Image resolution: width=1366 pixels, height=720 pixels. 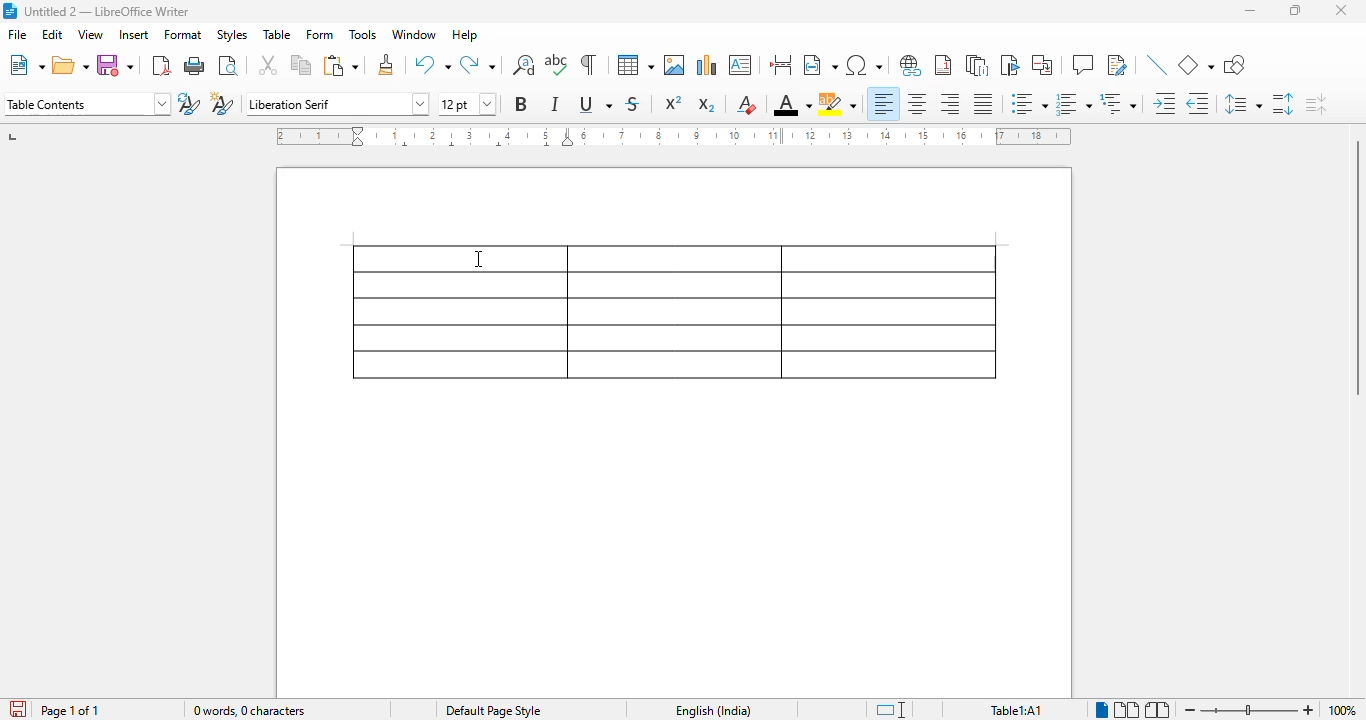 I want to click on insert bookmark, so click(x=1011, y=65).